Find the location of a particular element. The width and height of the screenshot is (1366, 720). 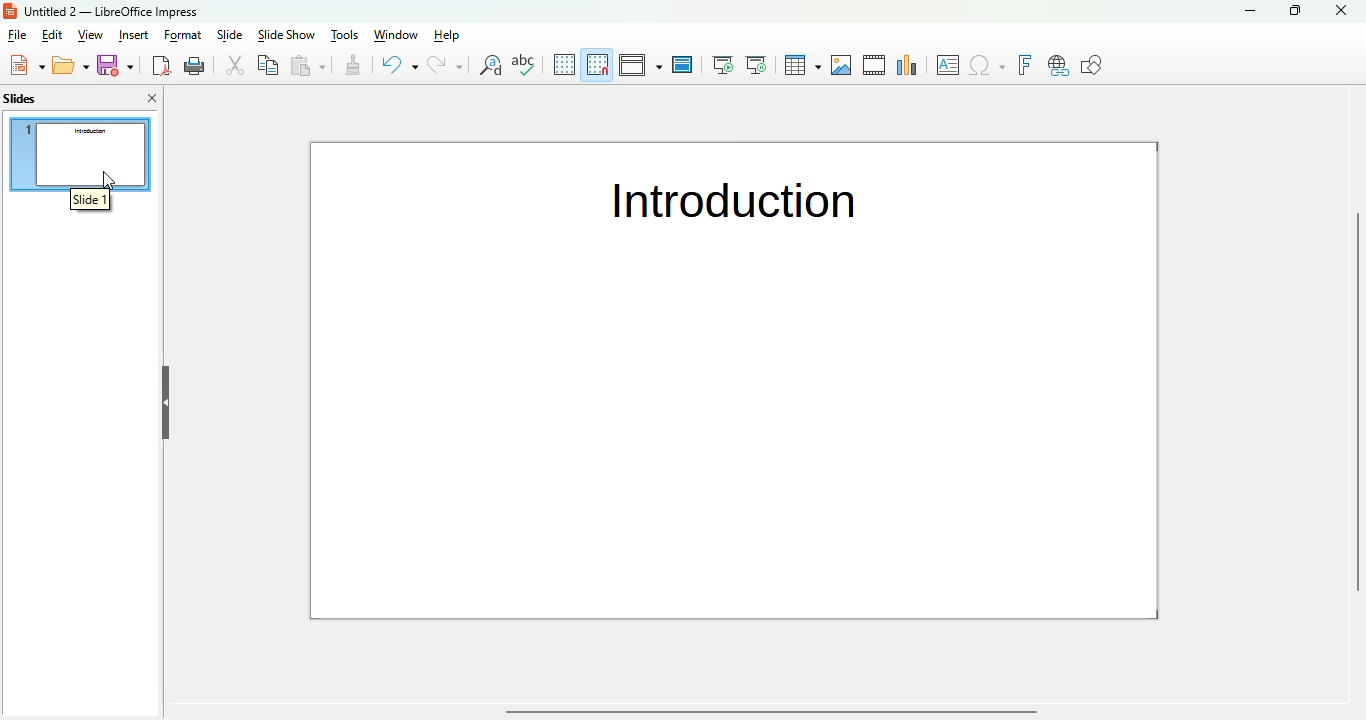

copy is located at coordinates (270, 64).